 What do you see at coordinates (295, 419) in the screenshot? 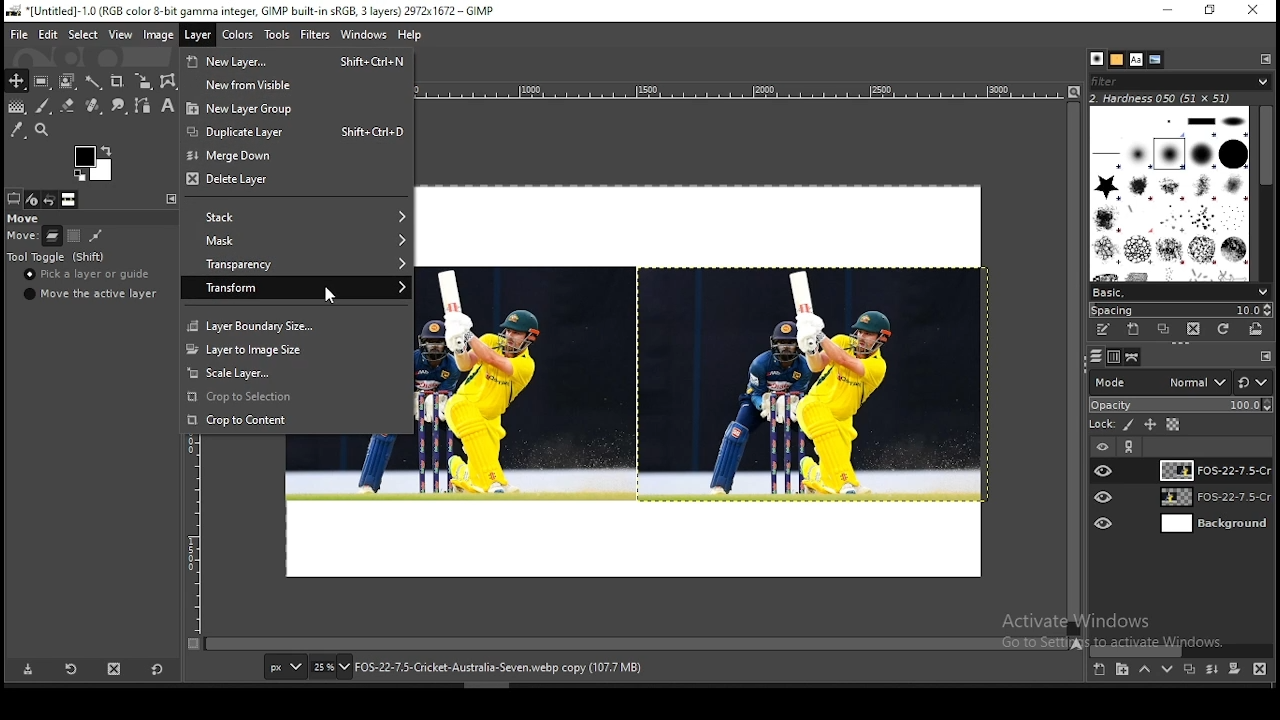
I see `crop to content` at bounding box center [295, 419].